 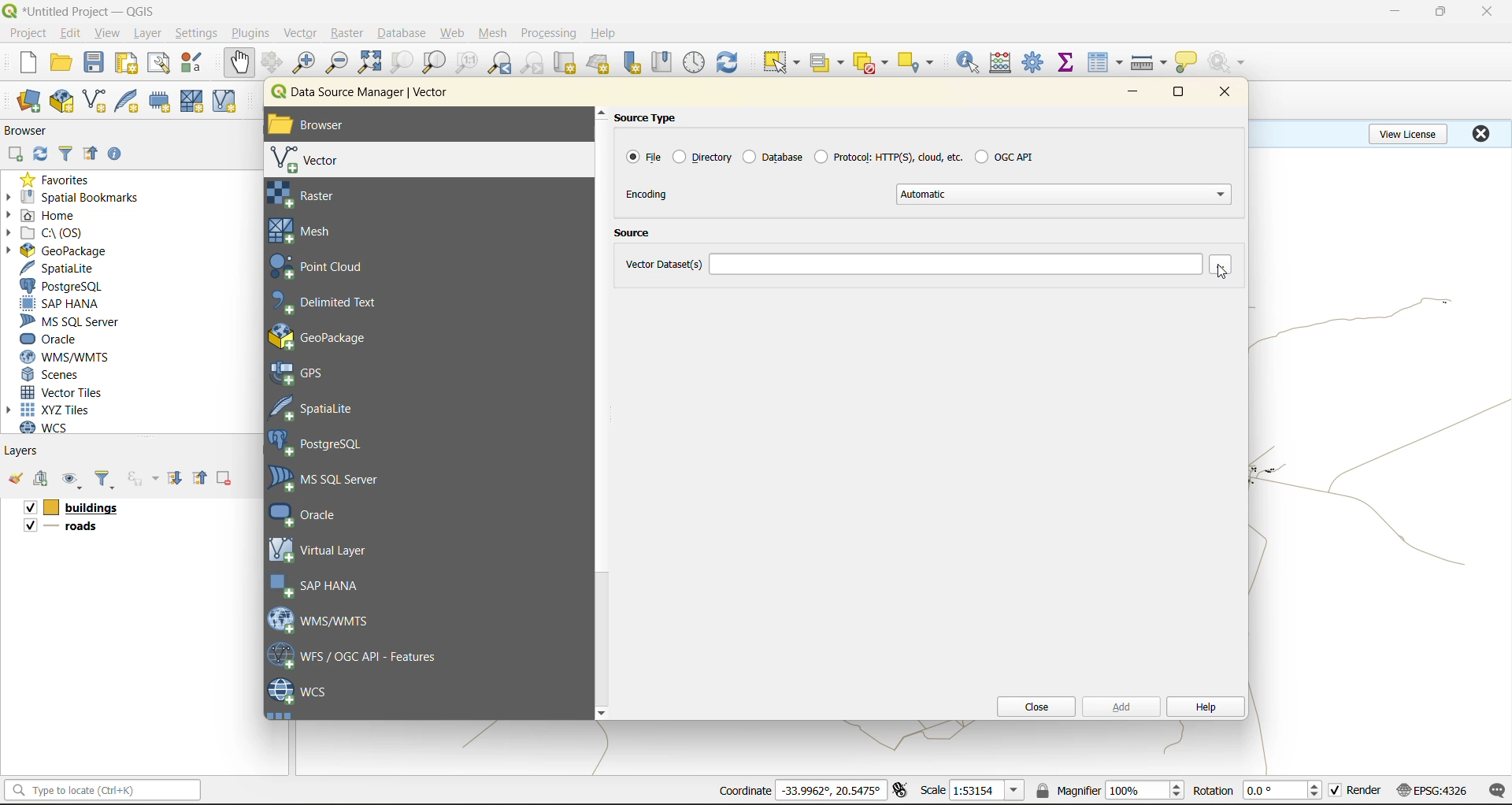 I want to click on minimize, so click(x=1132, y=93).